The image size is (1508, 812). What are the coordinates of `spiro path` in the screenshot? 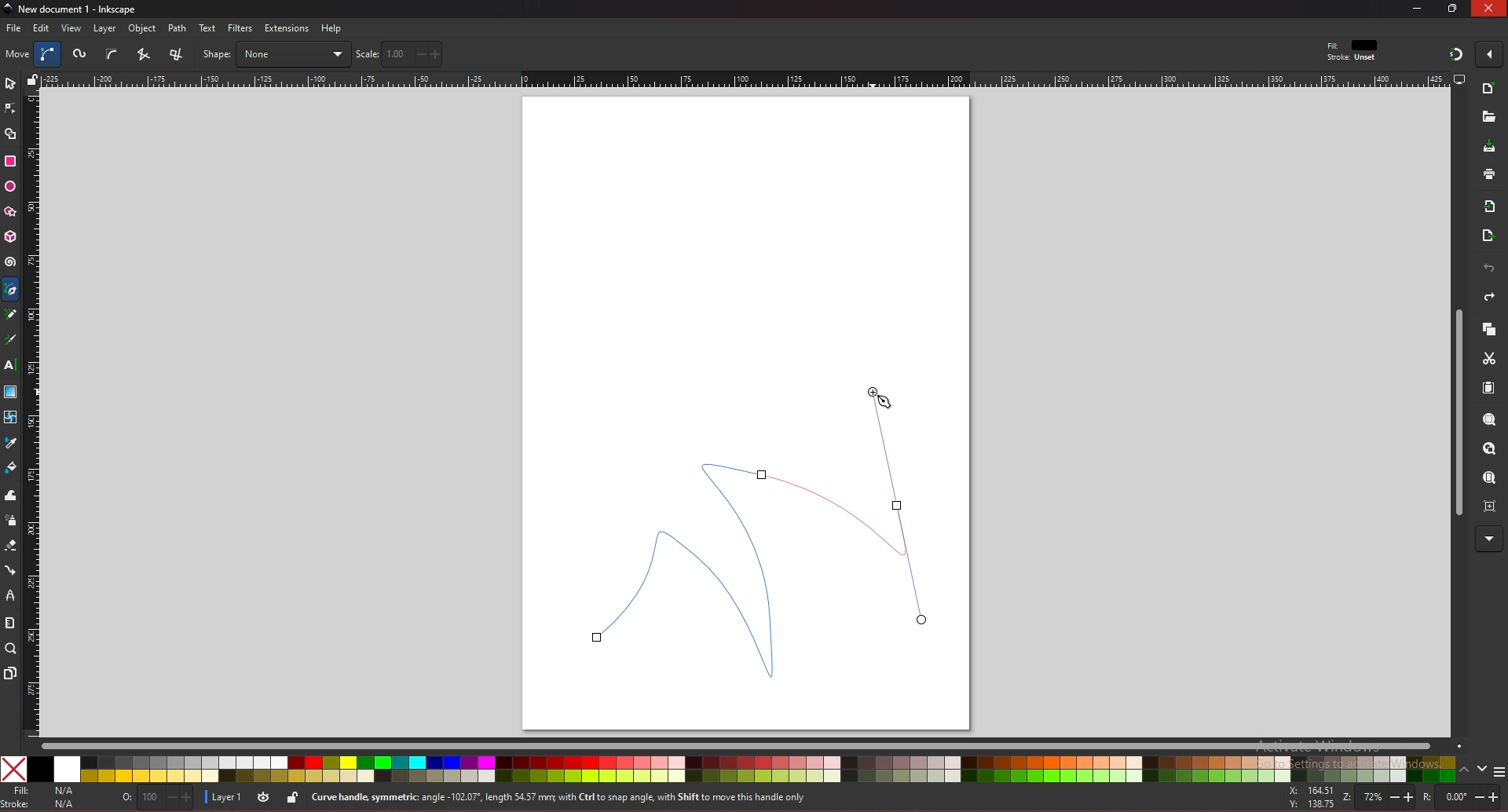 It's located at (81, 55).